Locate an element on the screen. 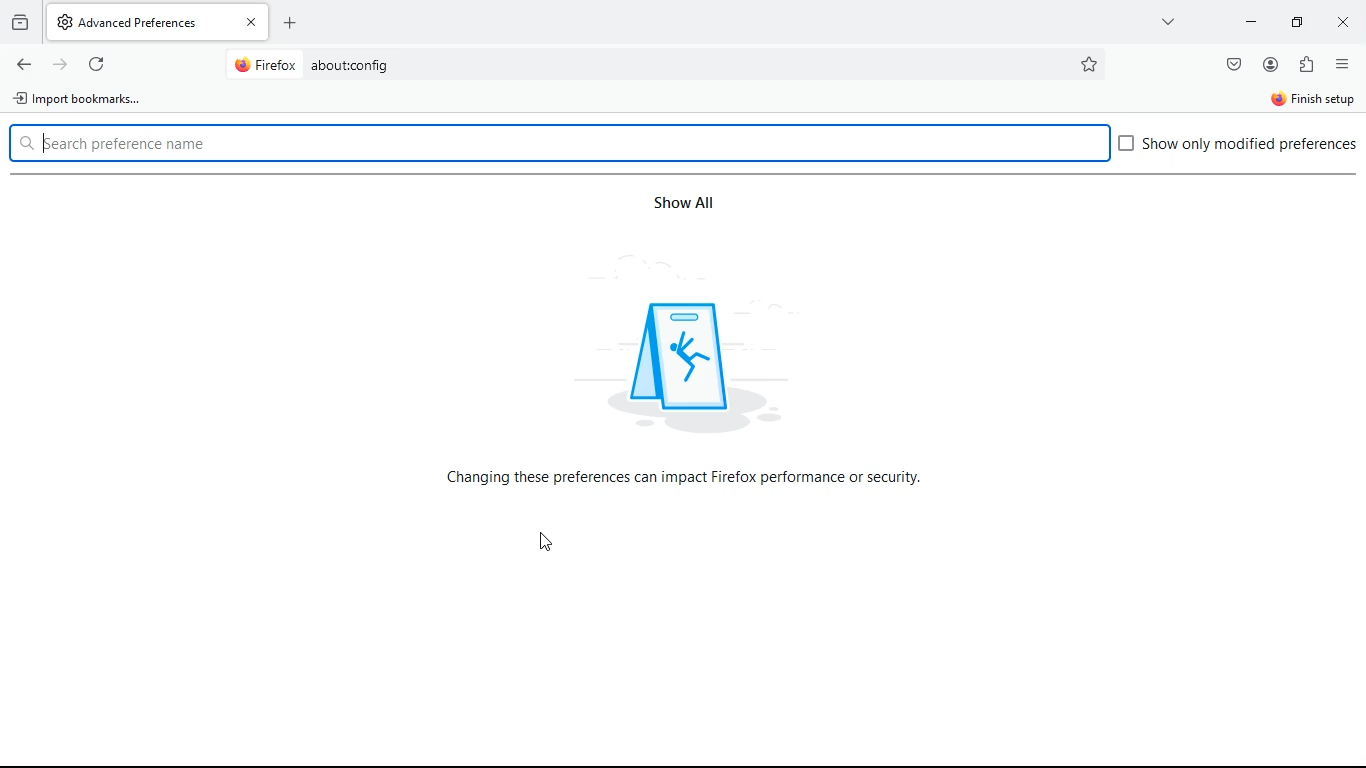 This screenshot has height=768, width=1366. Cursor is located at coordinates (549, 543).